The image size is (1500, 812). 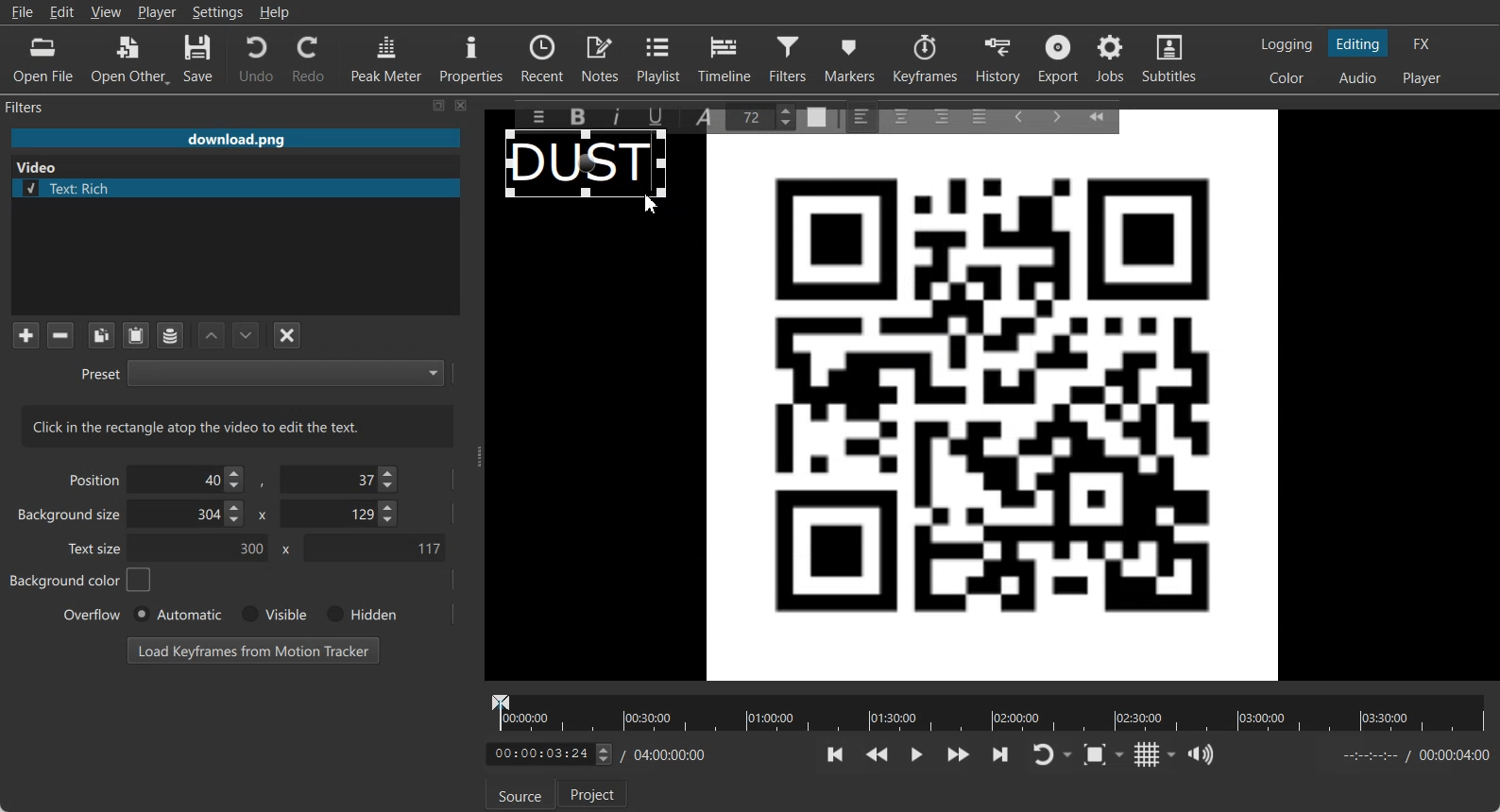 What do you see at coordinates (590, 192) in the screenshot?
I see `Text Frame` at bounding box center [590, 192].